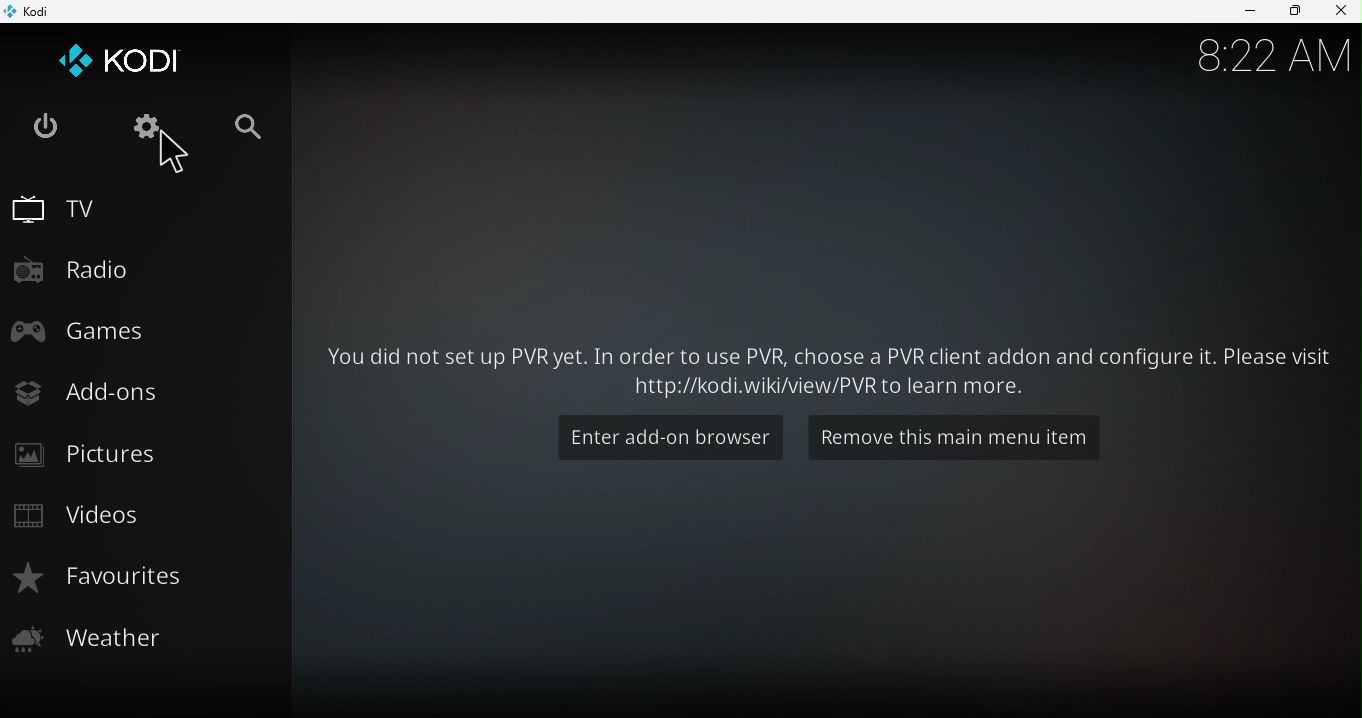 The height and width of the screenshot is (718, 1362). Describe the element at coordinates (140, 328) in the screenshot. I see `Games` at that location.